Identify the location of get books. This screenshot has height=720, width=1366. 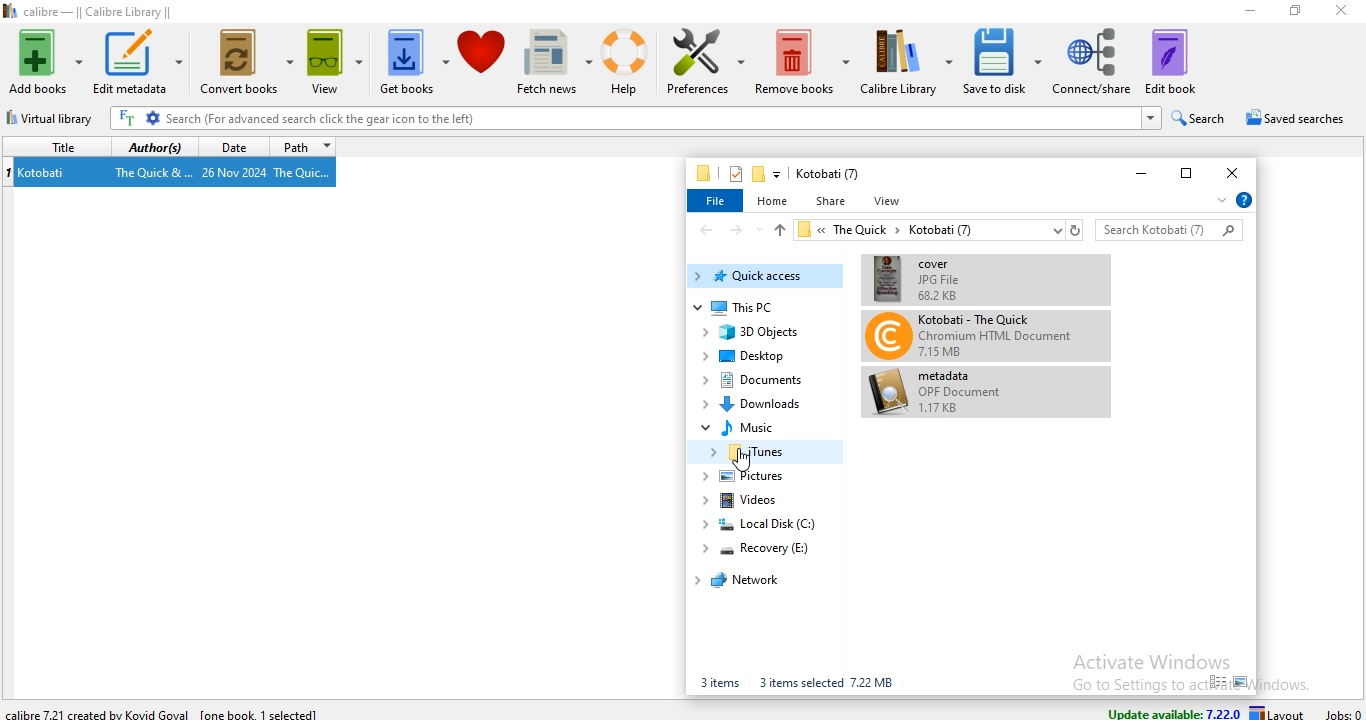
(414, 63).